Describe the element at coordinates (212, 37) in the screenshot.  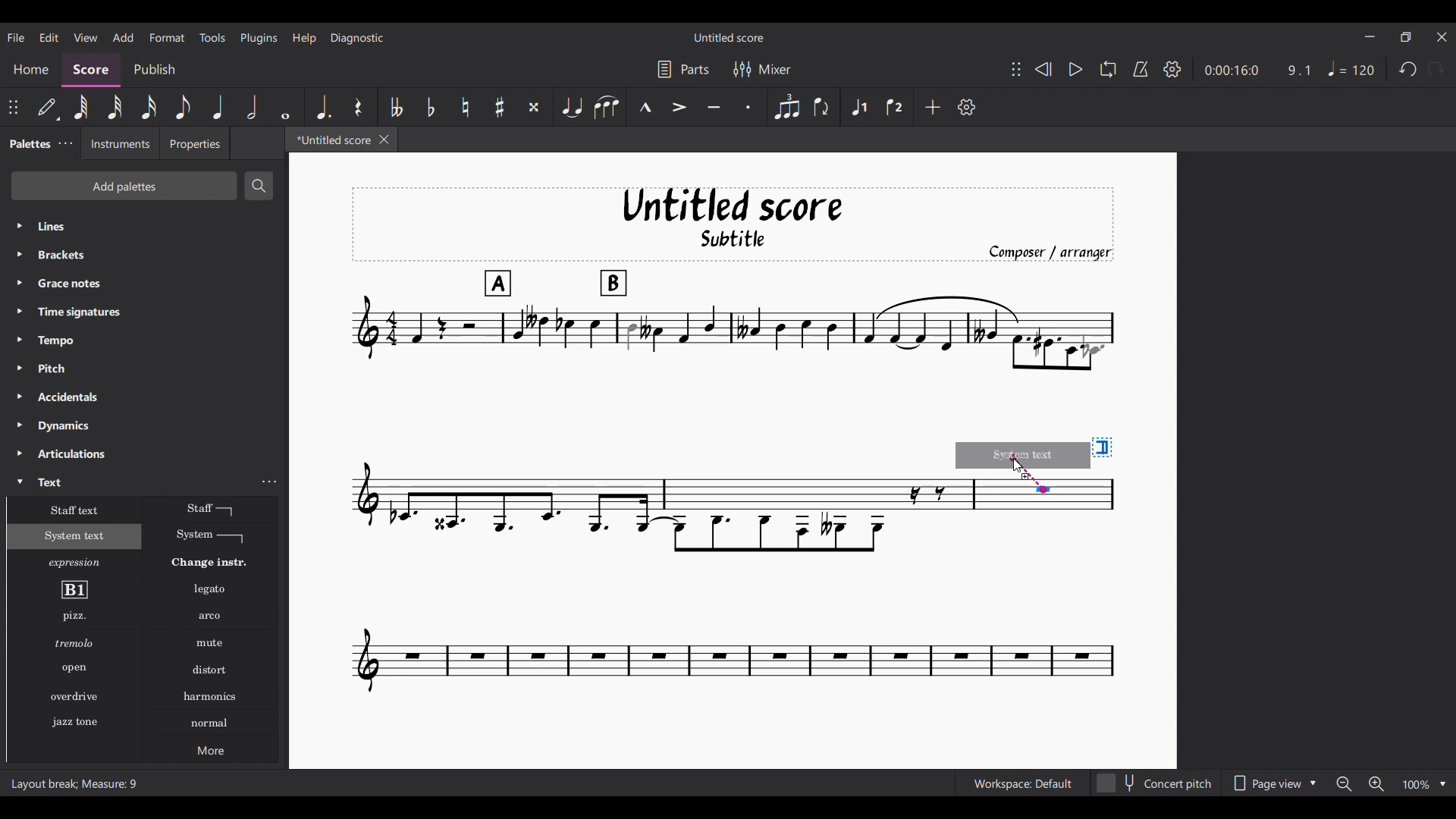
I see `Tools menu` at that location.